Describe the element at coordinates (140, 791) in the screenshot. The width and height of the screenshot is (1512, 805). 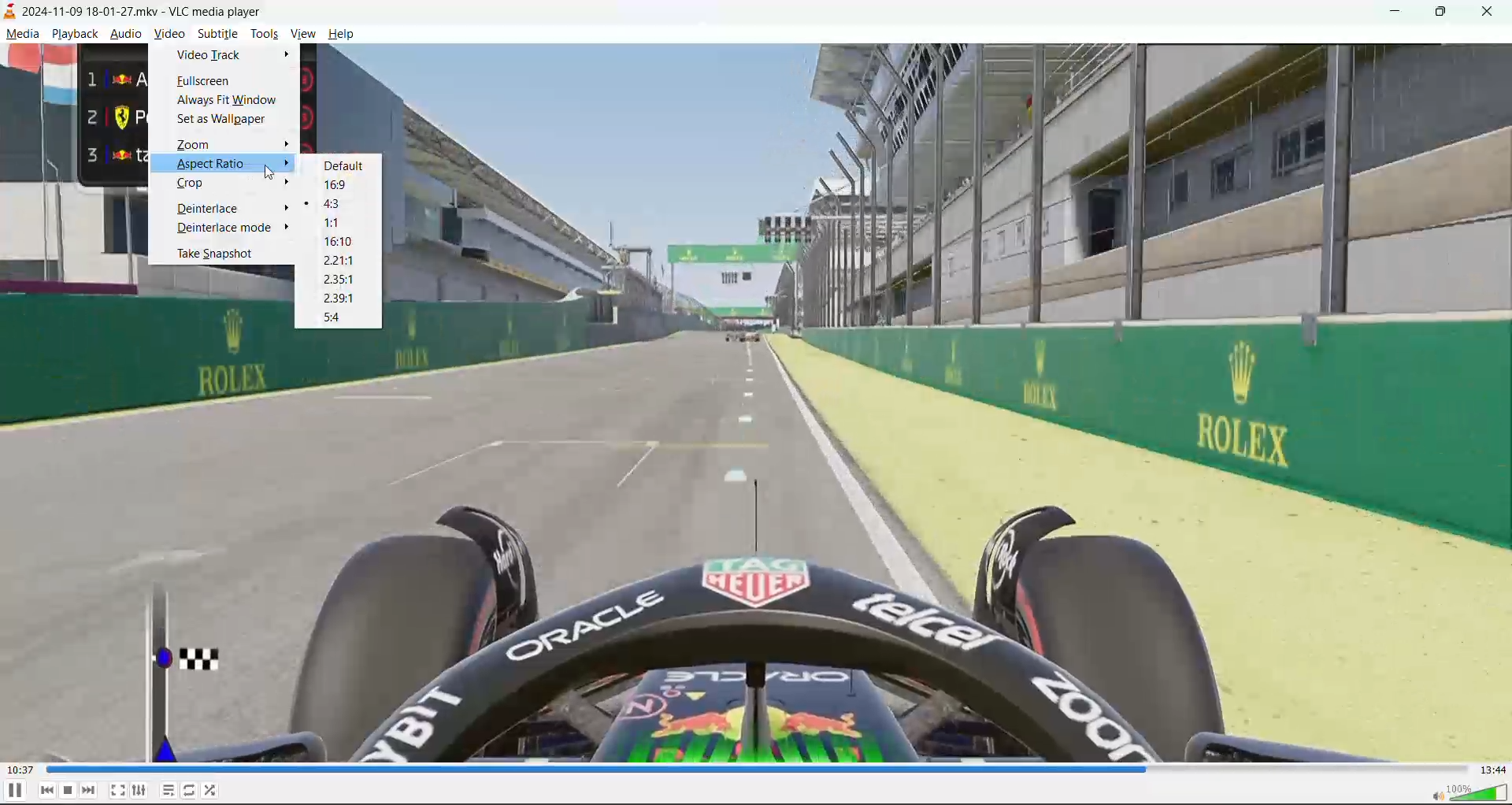
I see `settings` at that location.